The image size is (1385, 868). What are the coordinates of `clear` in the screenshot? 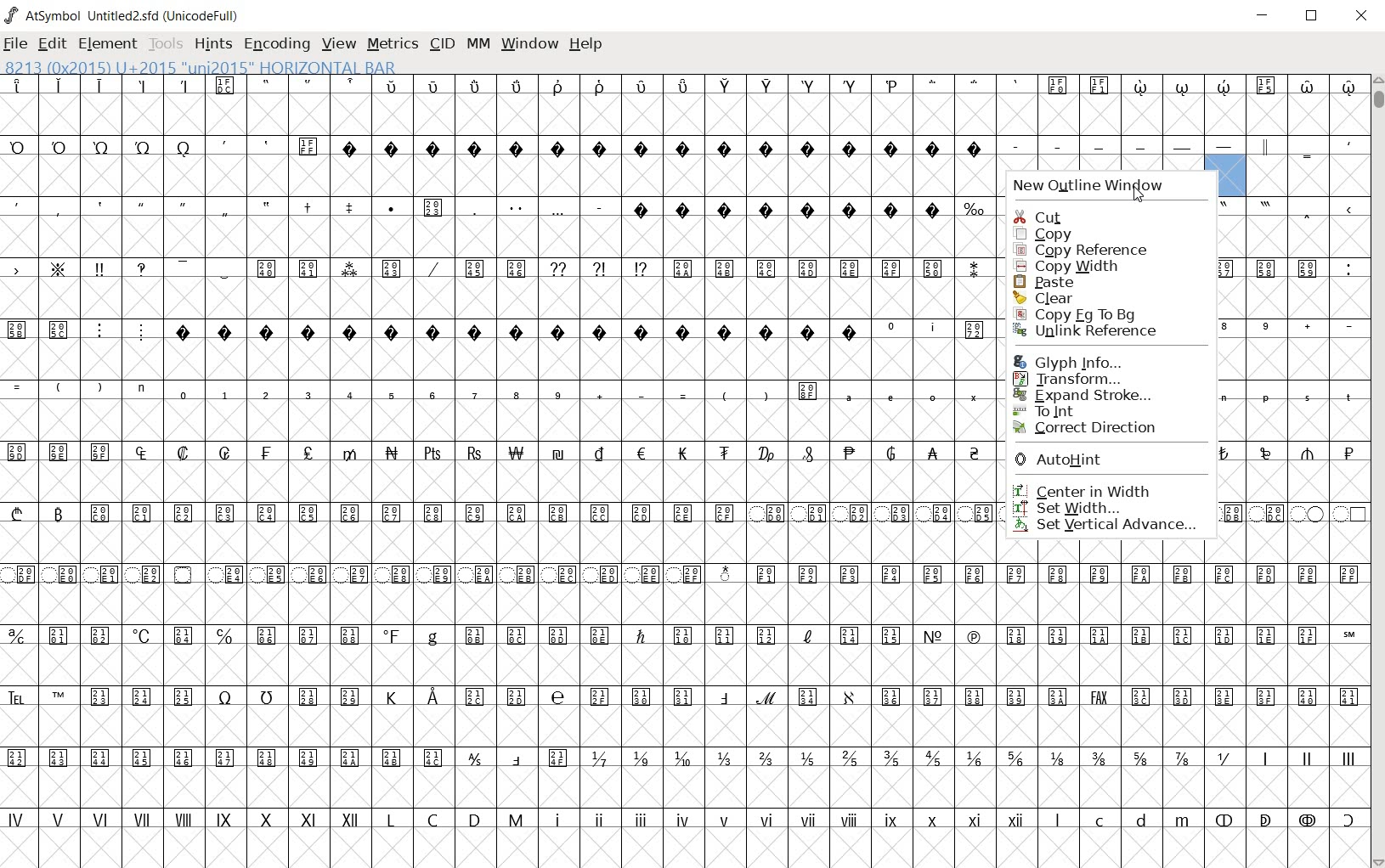 It's located at (1086, 297).